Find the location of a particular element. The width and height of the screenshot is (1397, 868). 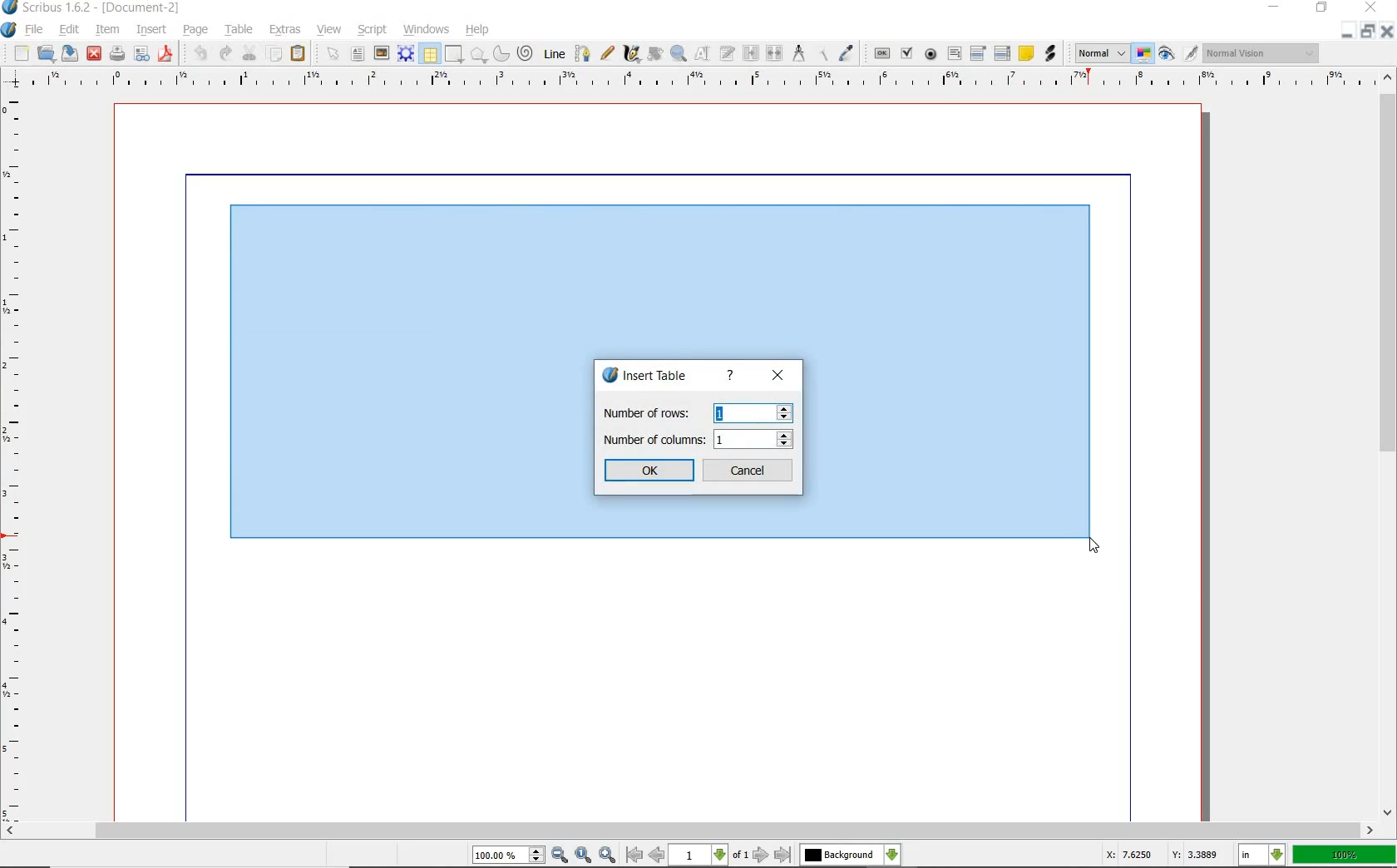

close is located at coordinates (778, 377).